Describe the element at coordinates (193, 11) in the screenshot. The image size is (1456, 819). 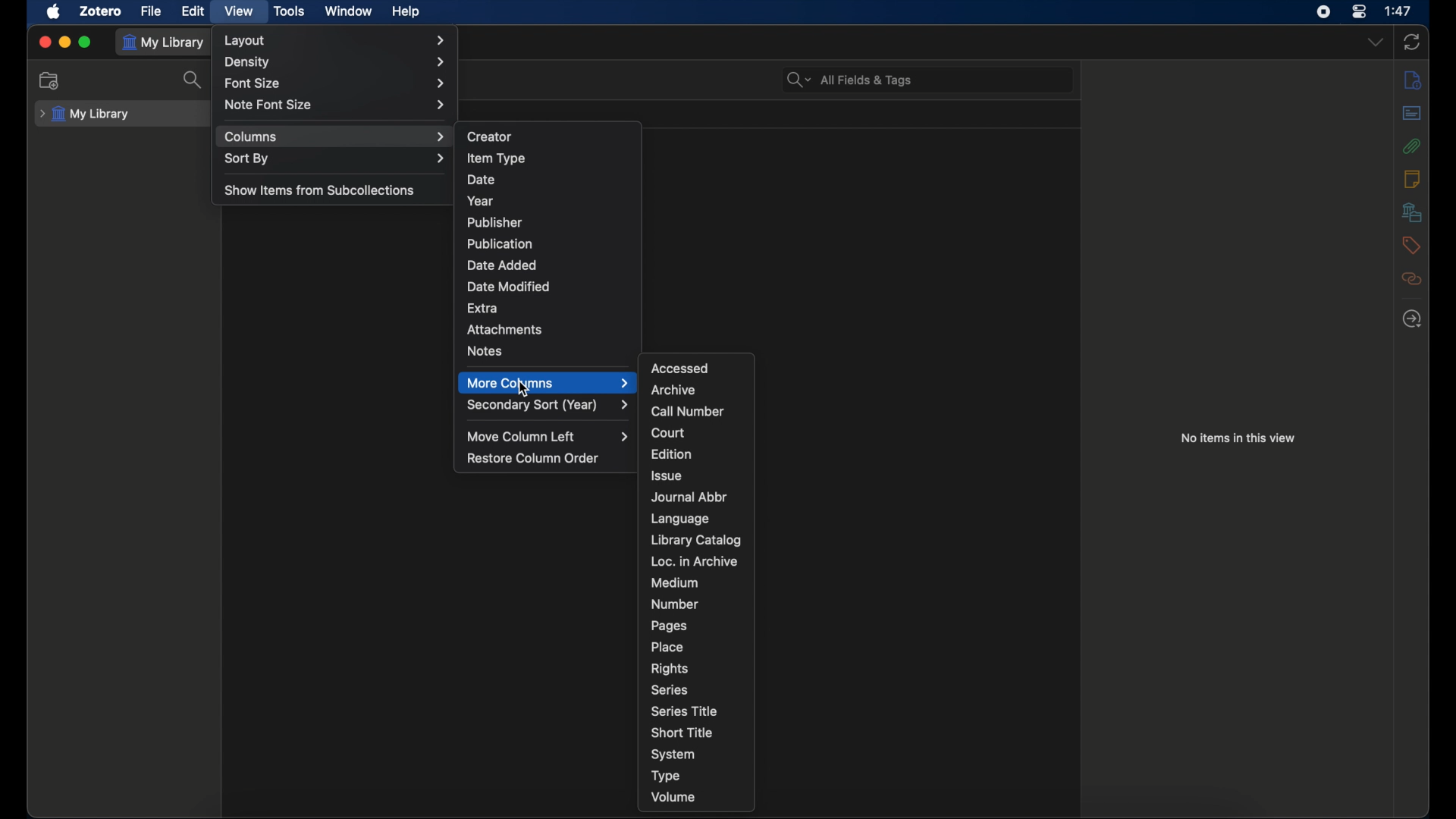
I see `edit` at that location.